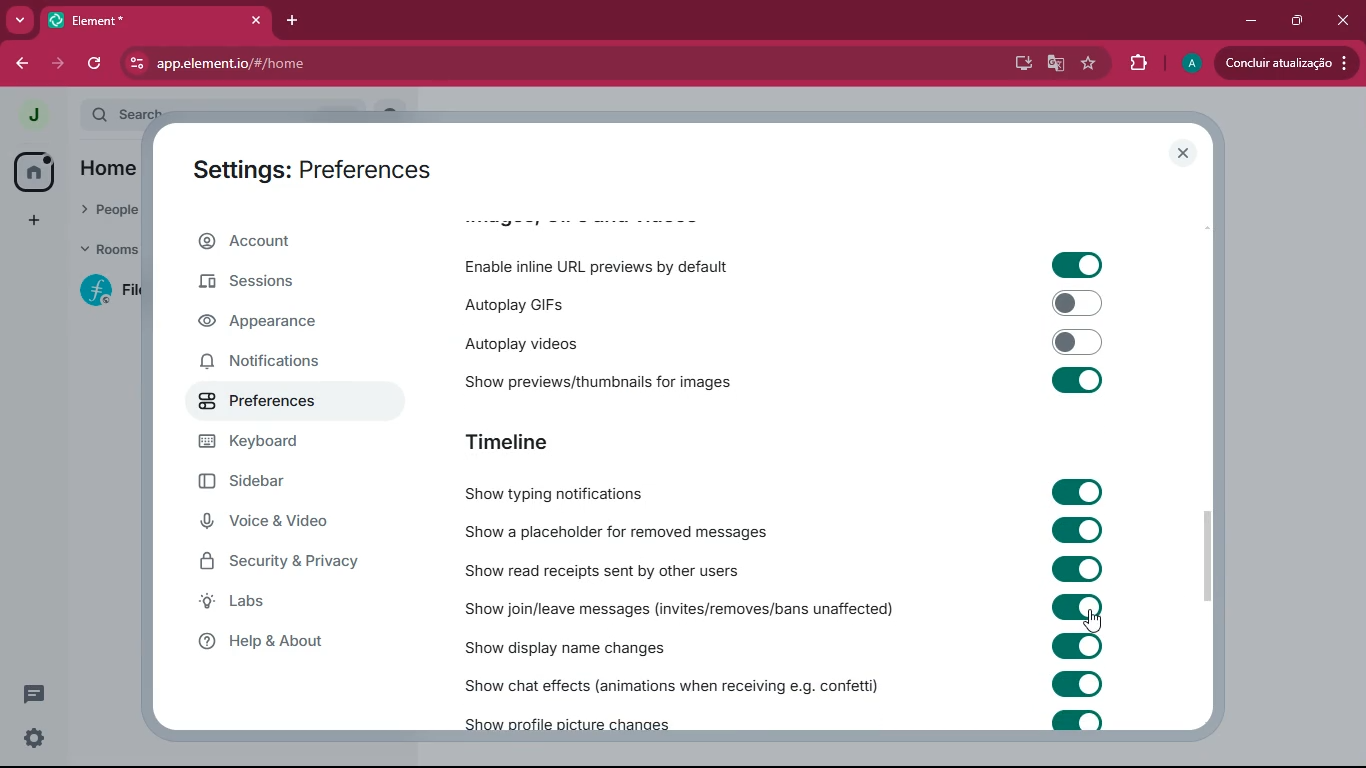  I want to click on update, so click(1287, 63).